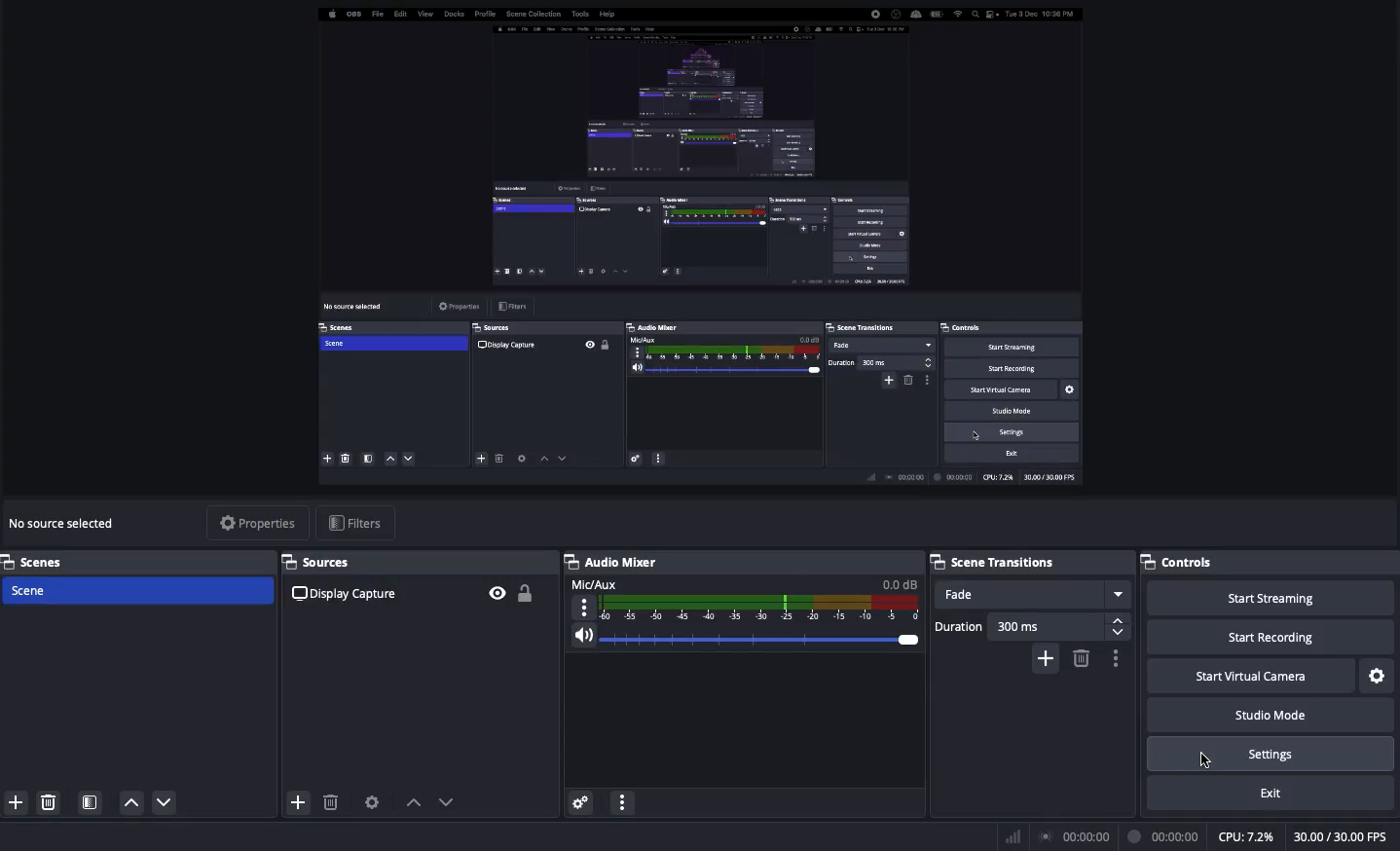 The image size is (1400, 851). Describe the element at coordinates (623, 800) in the screenshot. I see `Options` at that location.